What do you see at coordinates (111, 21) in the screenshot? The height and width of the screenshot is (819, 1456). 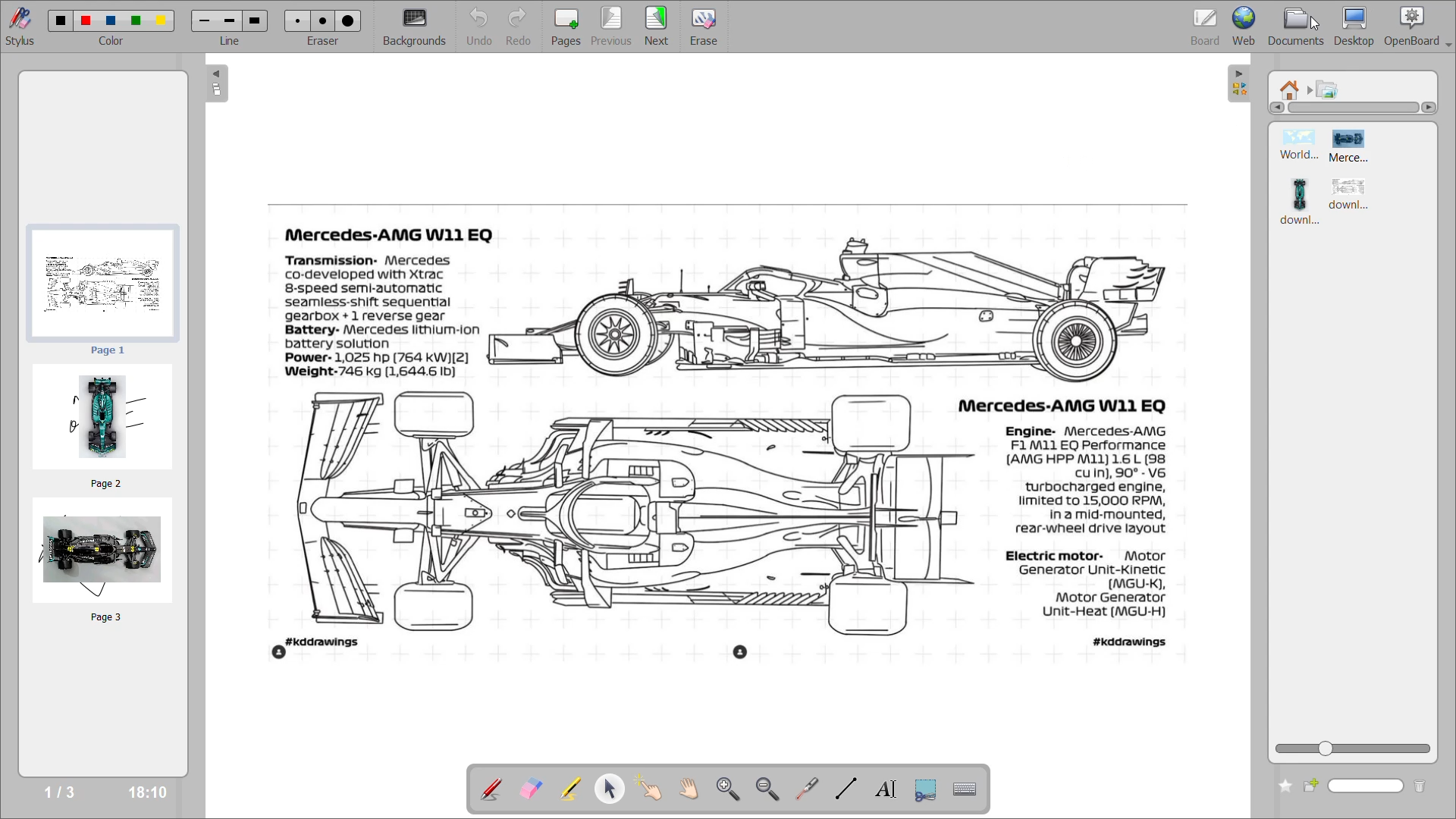 I see `color3` at bounding box center [111, 21].